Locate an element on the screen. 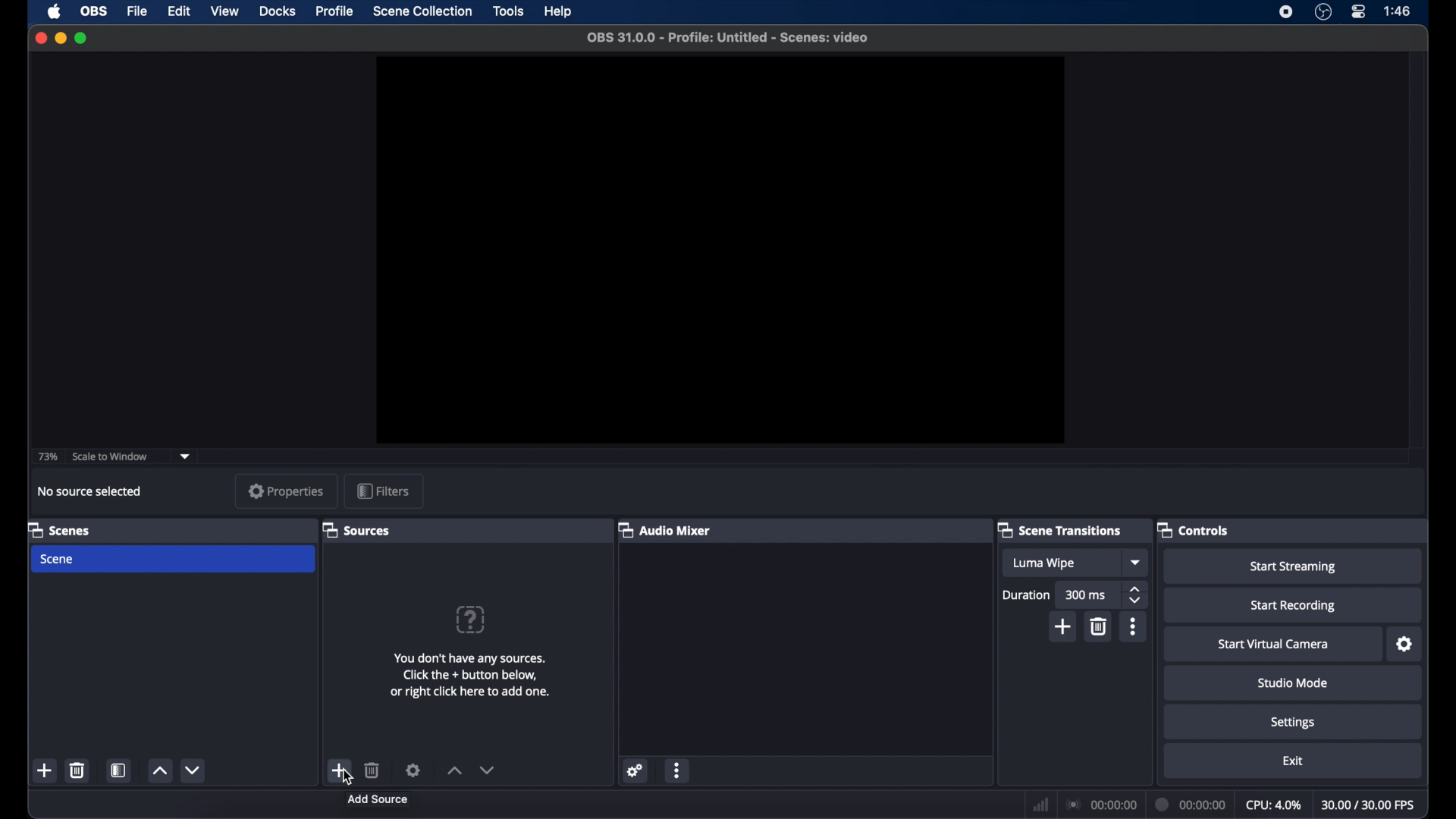 This screenshot has width=1456, height=819. obs is located at coordinates (95, 11).